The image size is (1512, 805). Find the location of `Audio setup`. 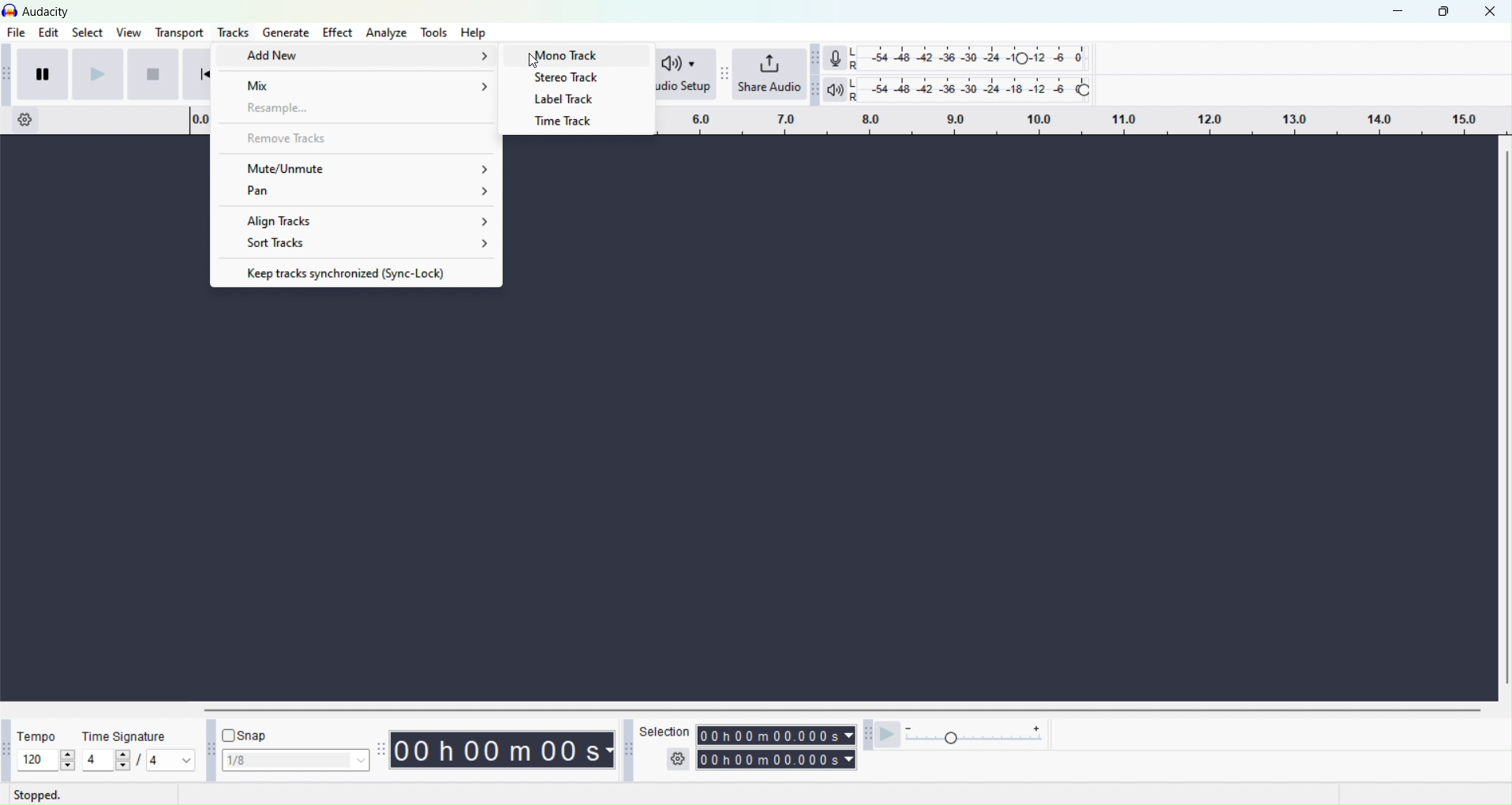

Audio setup is located at coordinates (679, 75).